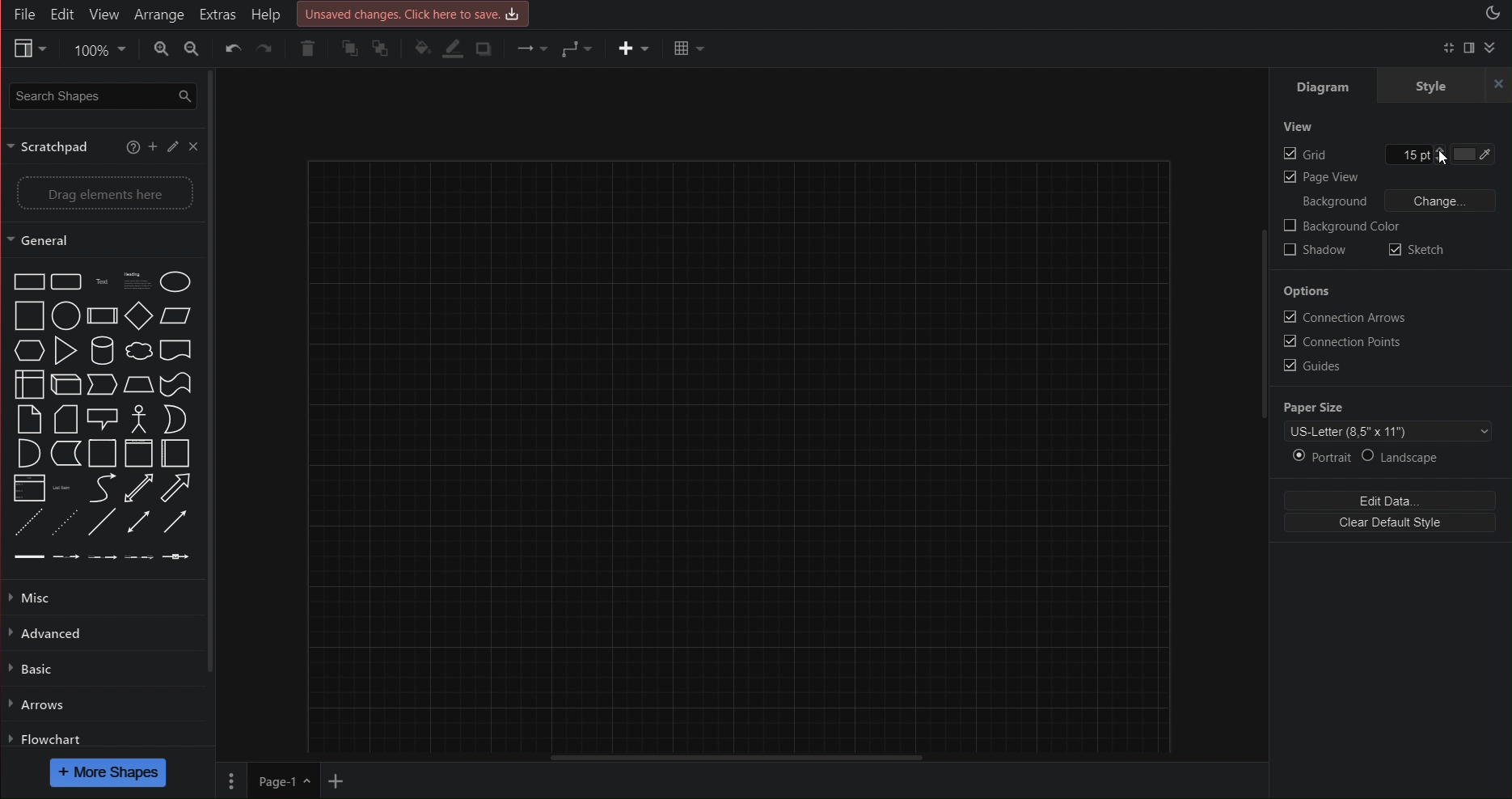  I want to click on Shadow, so click(489, 46).